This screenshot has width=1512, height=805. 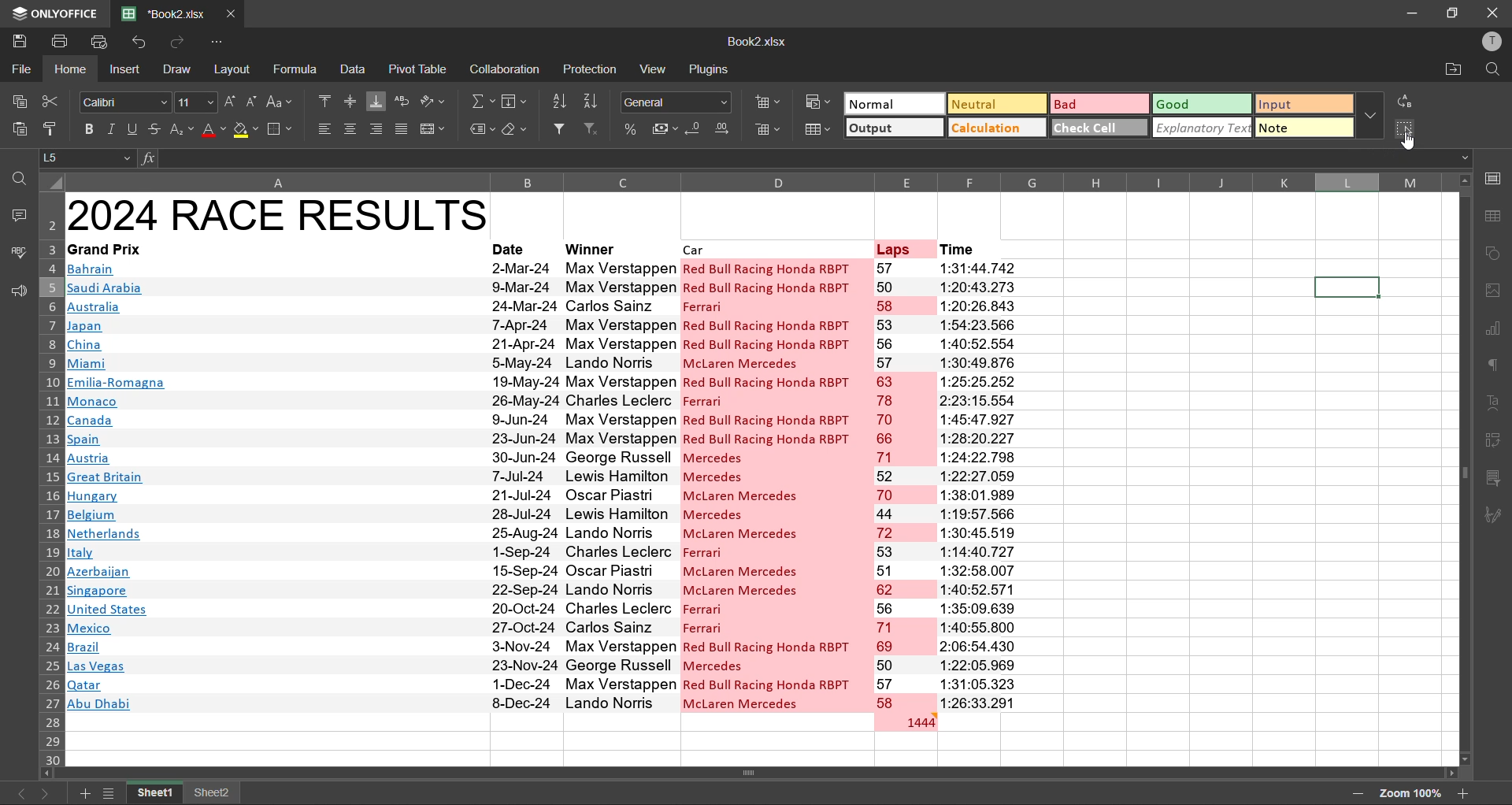 I want to click on replace, so click(x=1410, y=101).